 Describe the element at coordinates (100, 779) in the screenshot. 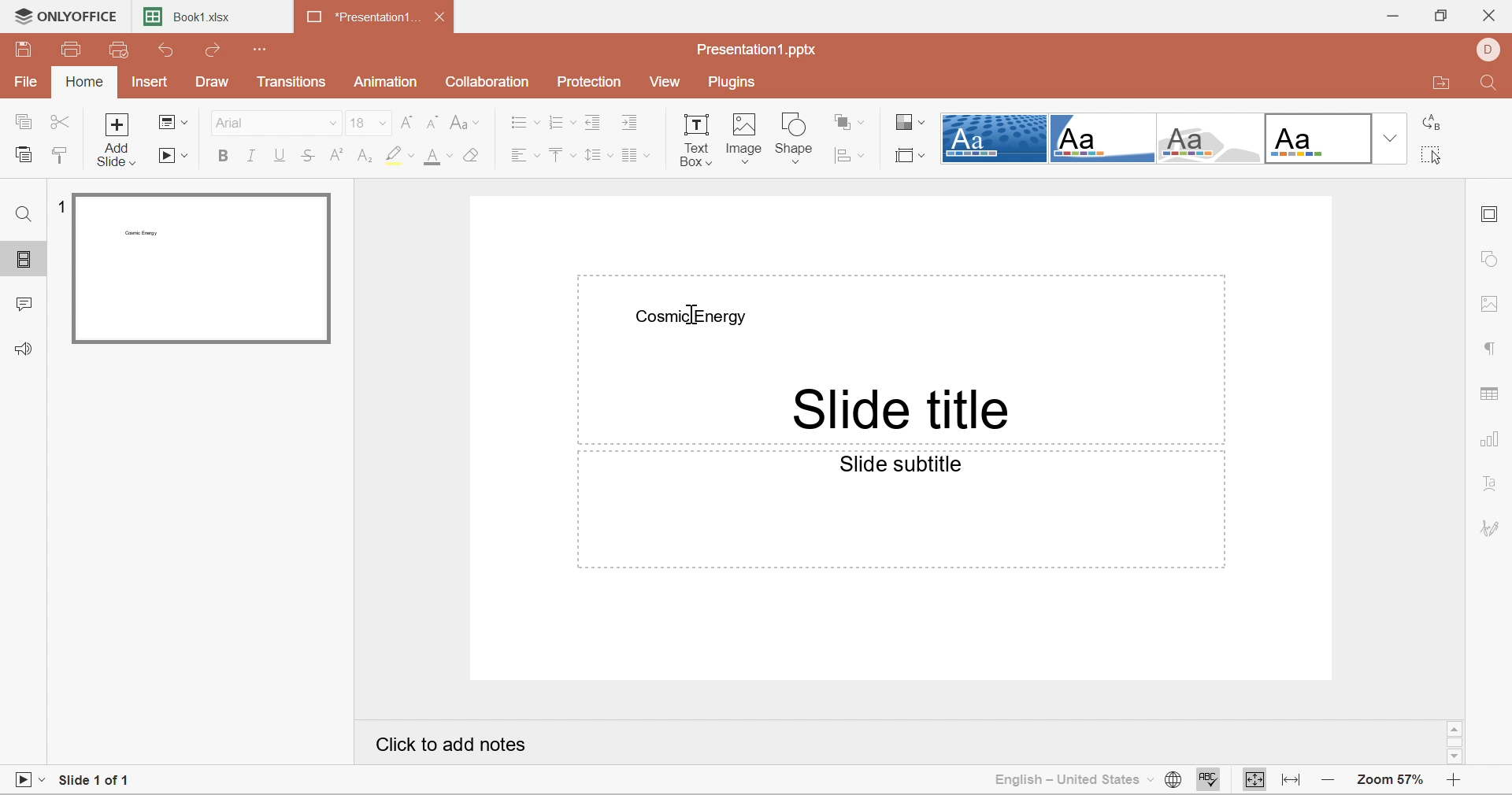

I see `Slide 1 of 1` at that location.